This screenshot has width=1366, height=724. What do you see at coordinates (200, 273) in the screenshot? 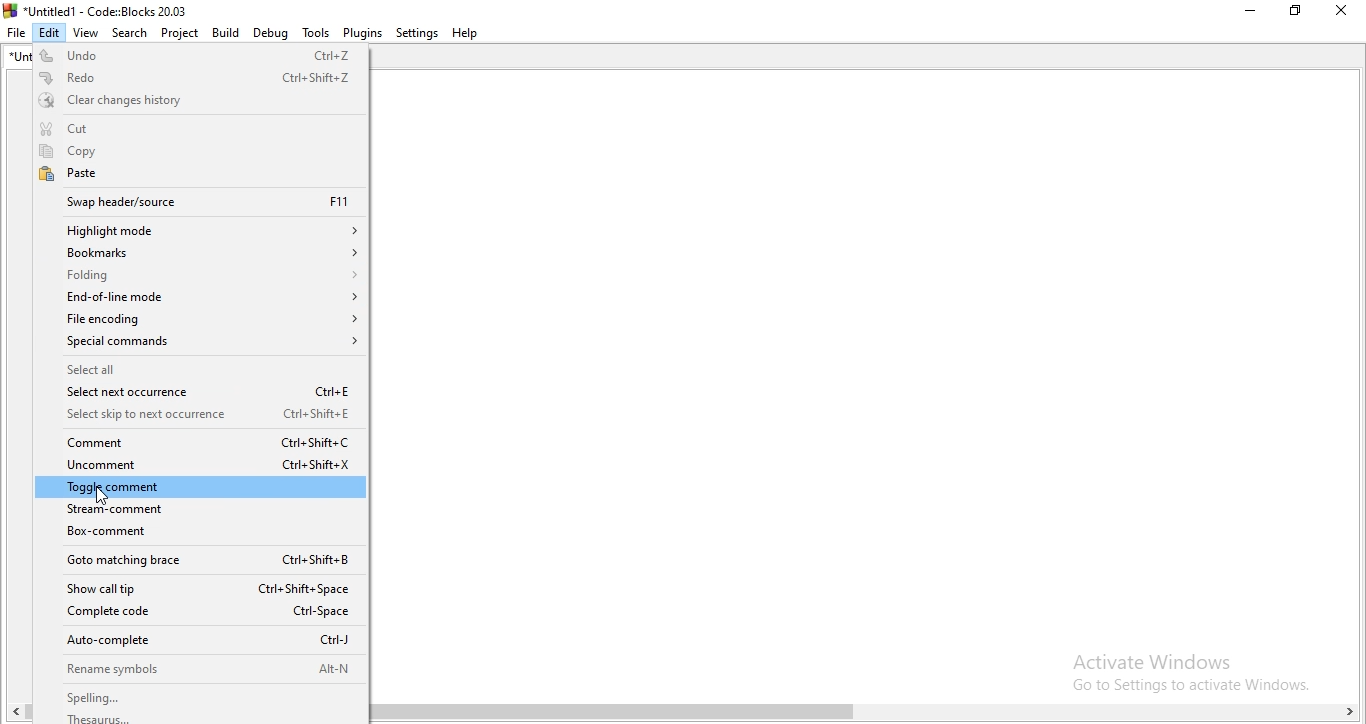
I see `Folding ` at bounding box center [200, 273].